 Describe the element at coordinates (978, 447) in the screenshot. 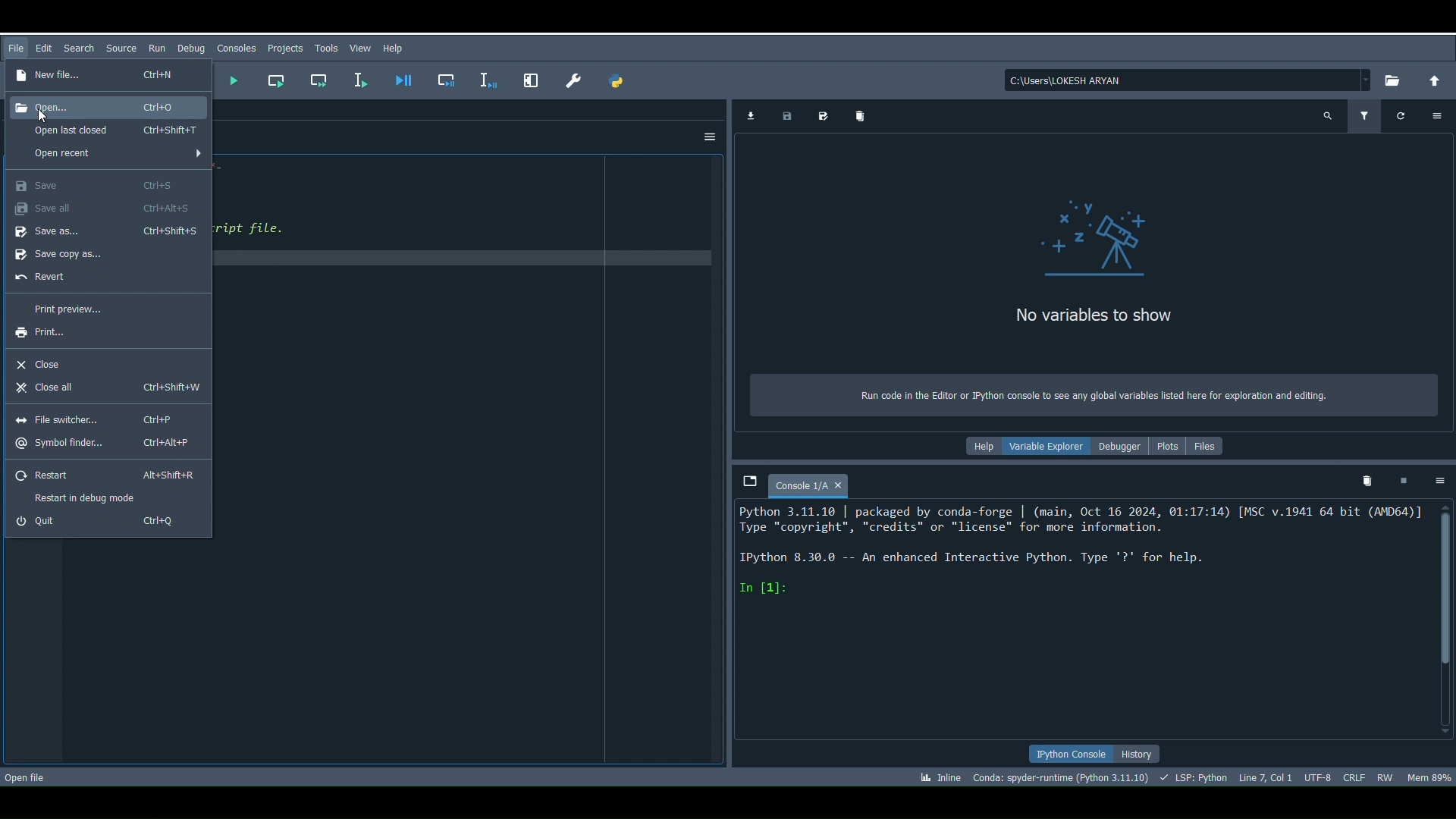

I see `Help` at that location.